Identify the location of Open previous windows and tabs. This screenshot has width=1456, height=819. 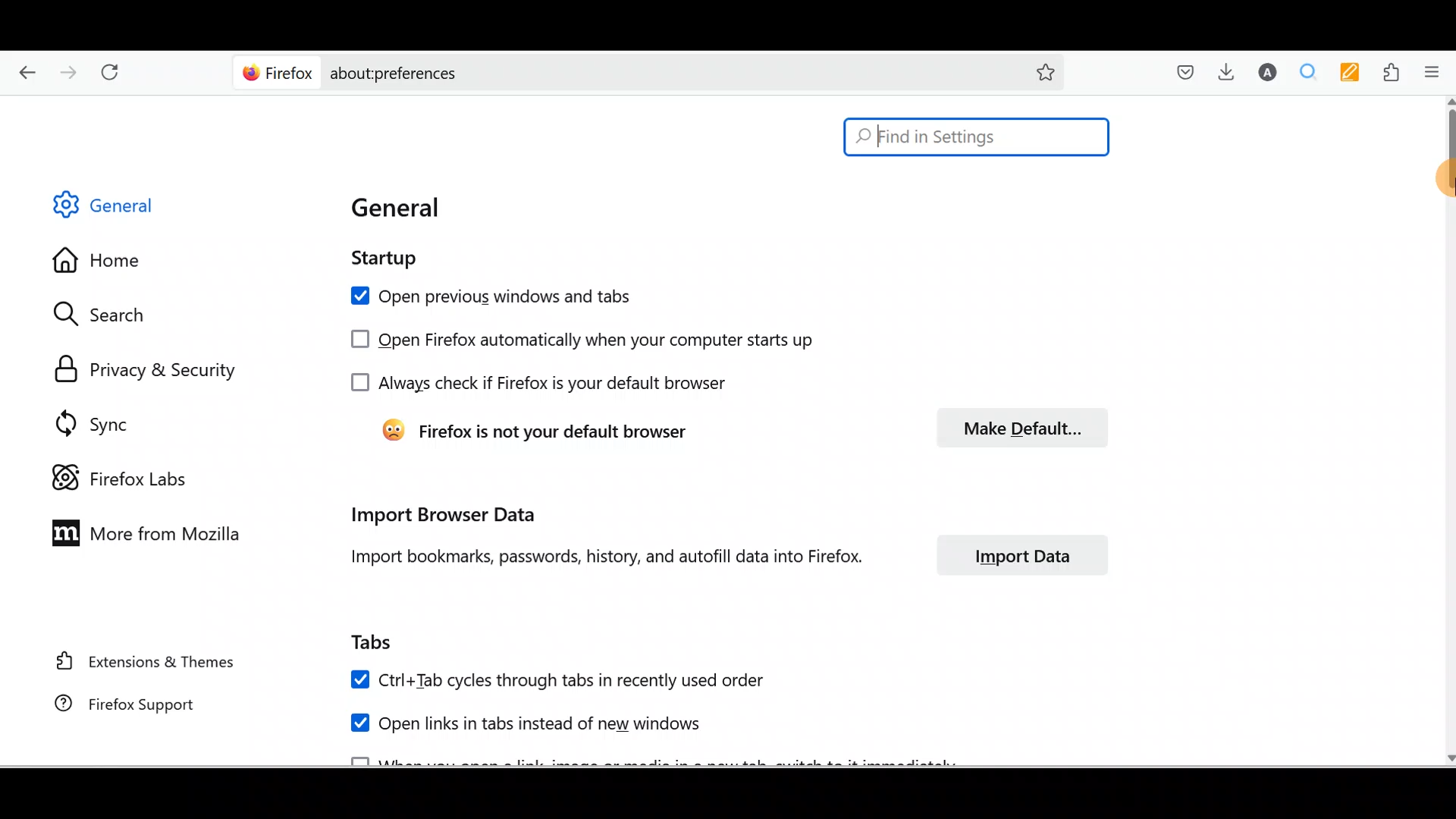
(491, 293).